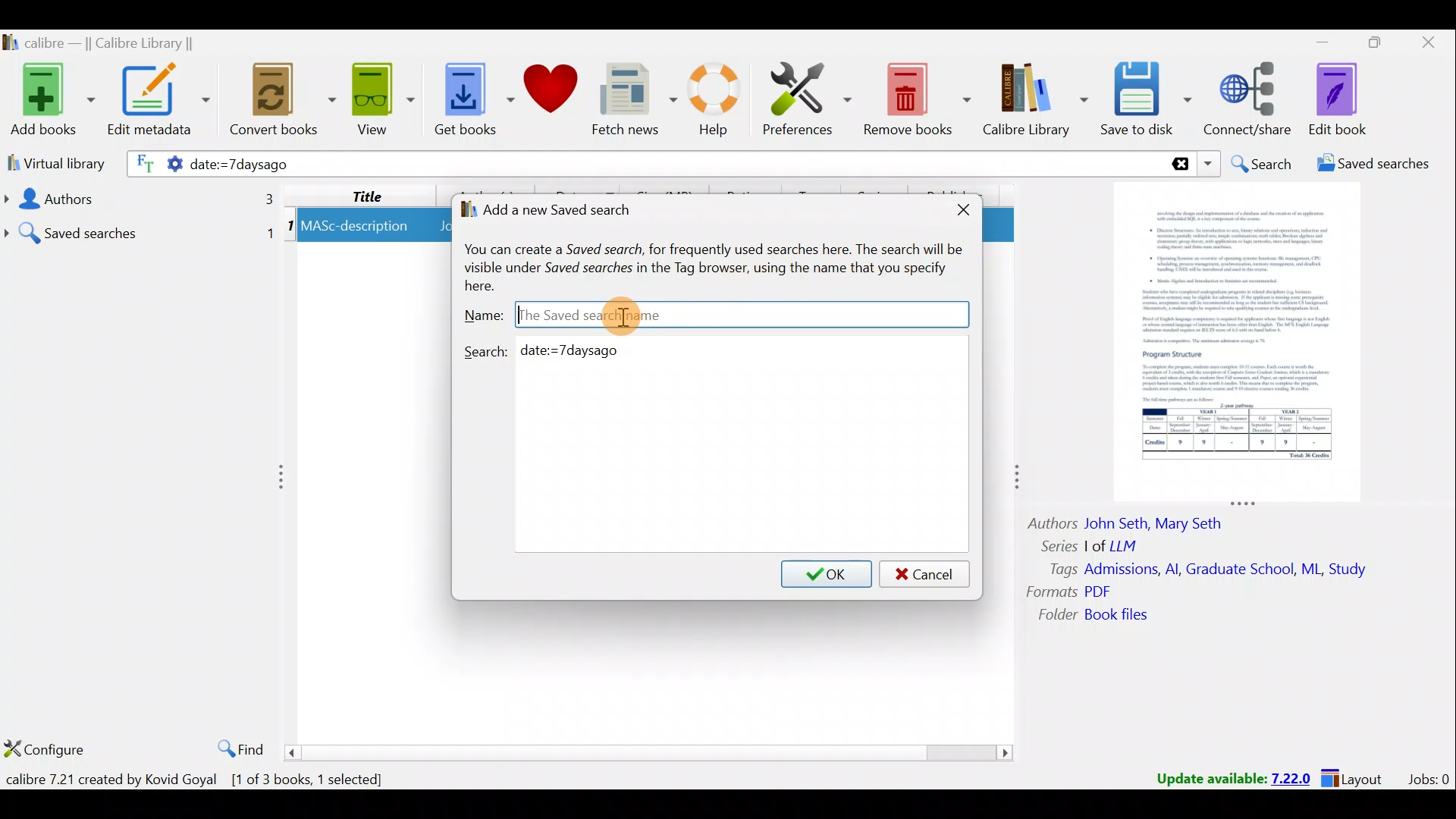 This screenshot has width=1456, height=819. Describe the element at coordinates (1357, 777) in the screenshot. I see `Layout` at that location.